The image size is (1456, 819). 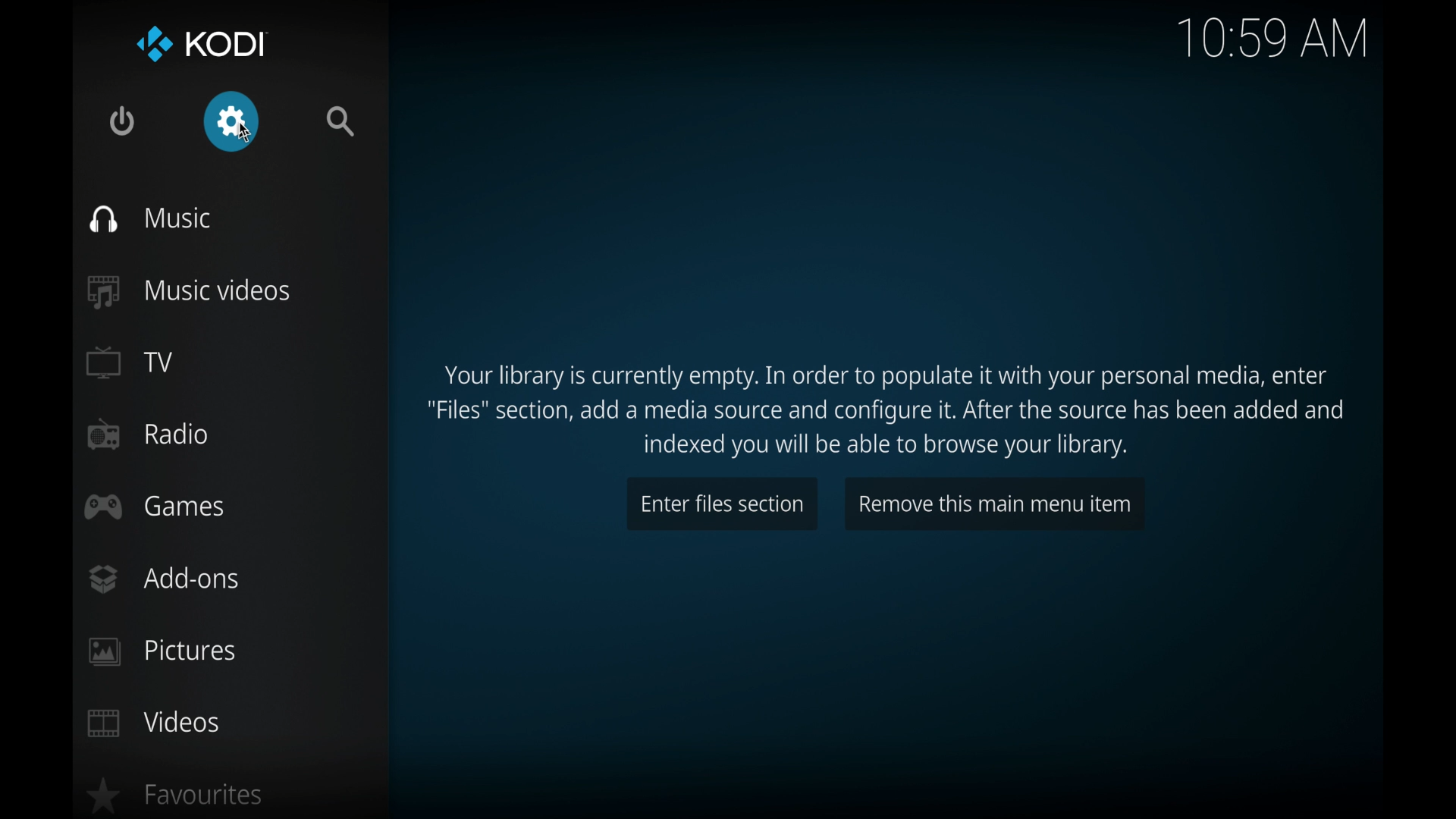 I want to click on enter files section , so click(x=723, y=504).